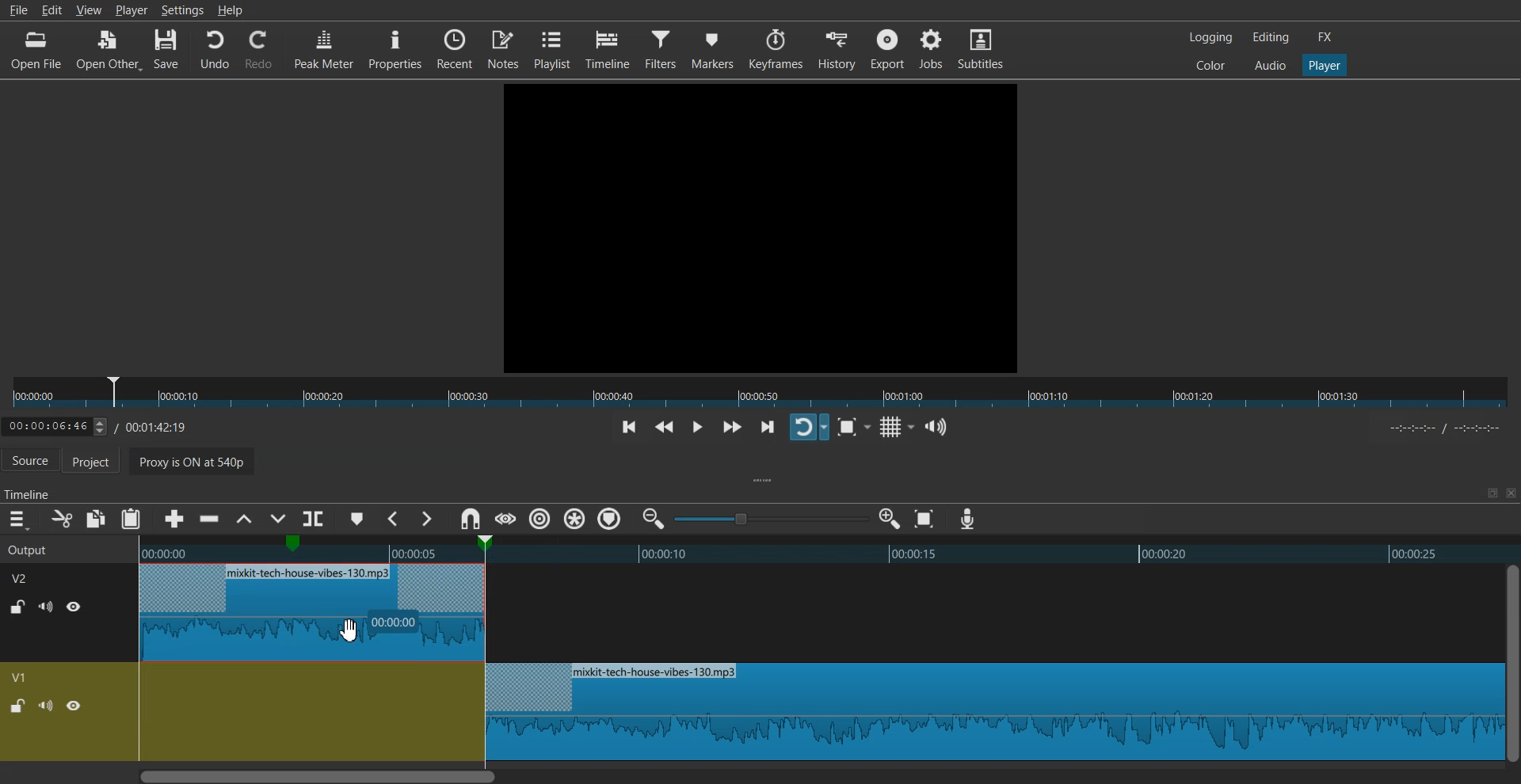  Describe the element at coordinates (316, 516) in the screenshot. I see `Split at playhead` at that location.